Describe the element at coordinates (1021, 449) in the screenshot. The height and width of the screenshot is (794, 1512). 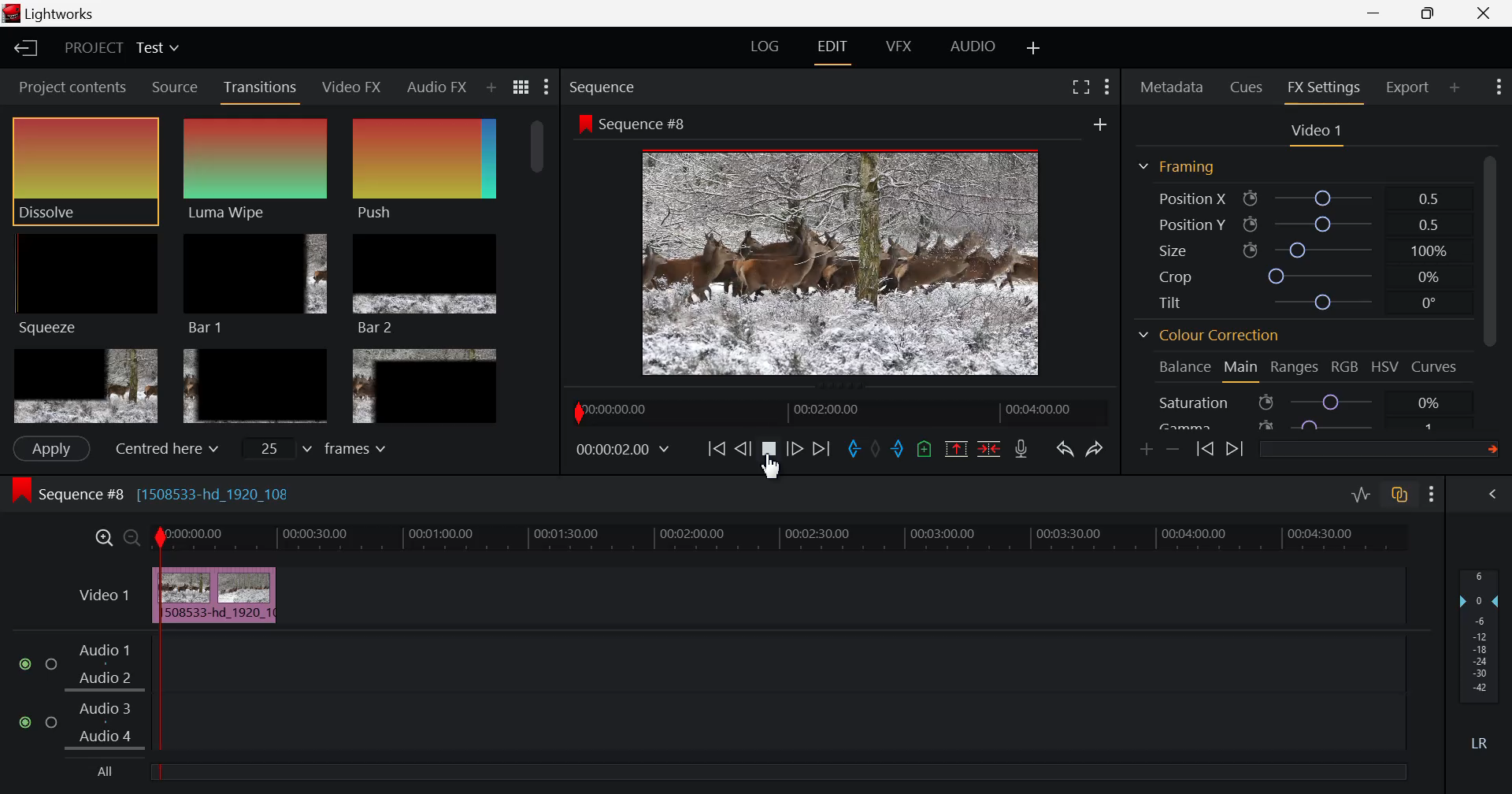
I see `Record Voiceover` at that location.